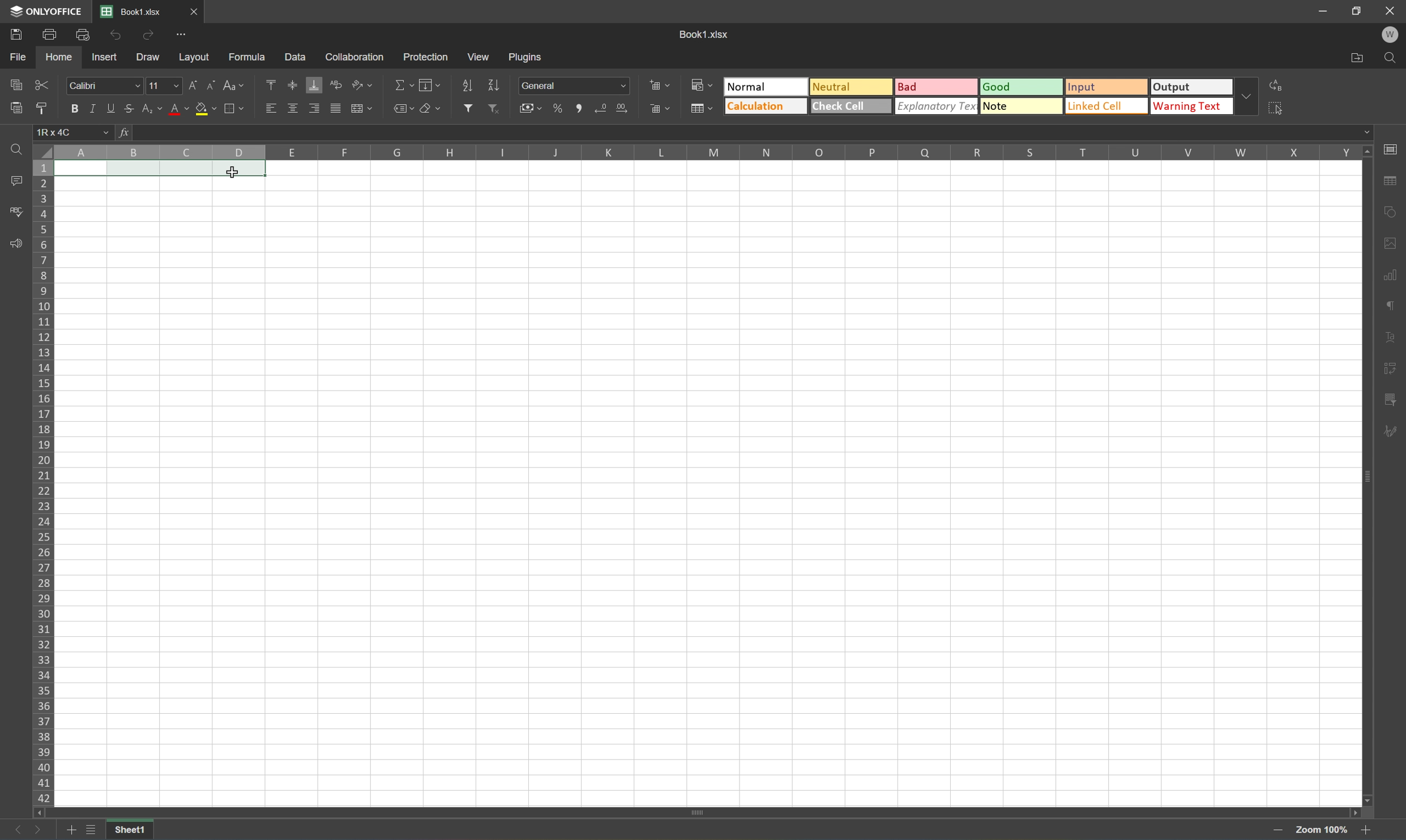  Describe the element at coordinates (582, 109) in the screenshot. I see `Comma style` at that location.